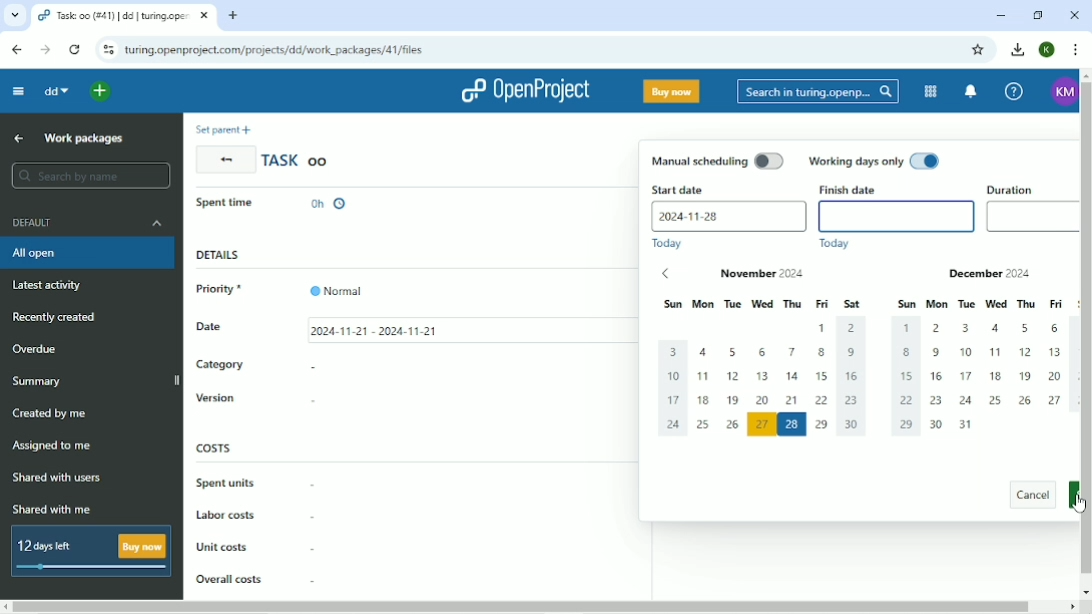 The height and width of the screenshot is (614, 1092). I want to click on Restore down, so click(1037, 15).